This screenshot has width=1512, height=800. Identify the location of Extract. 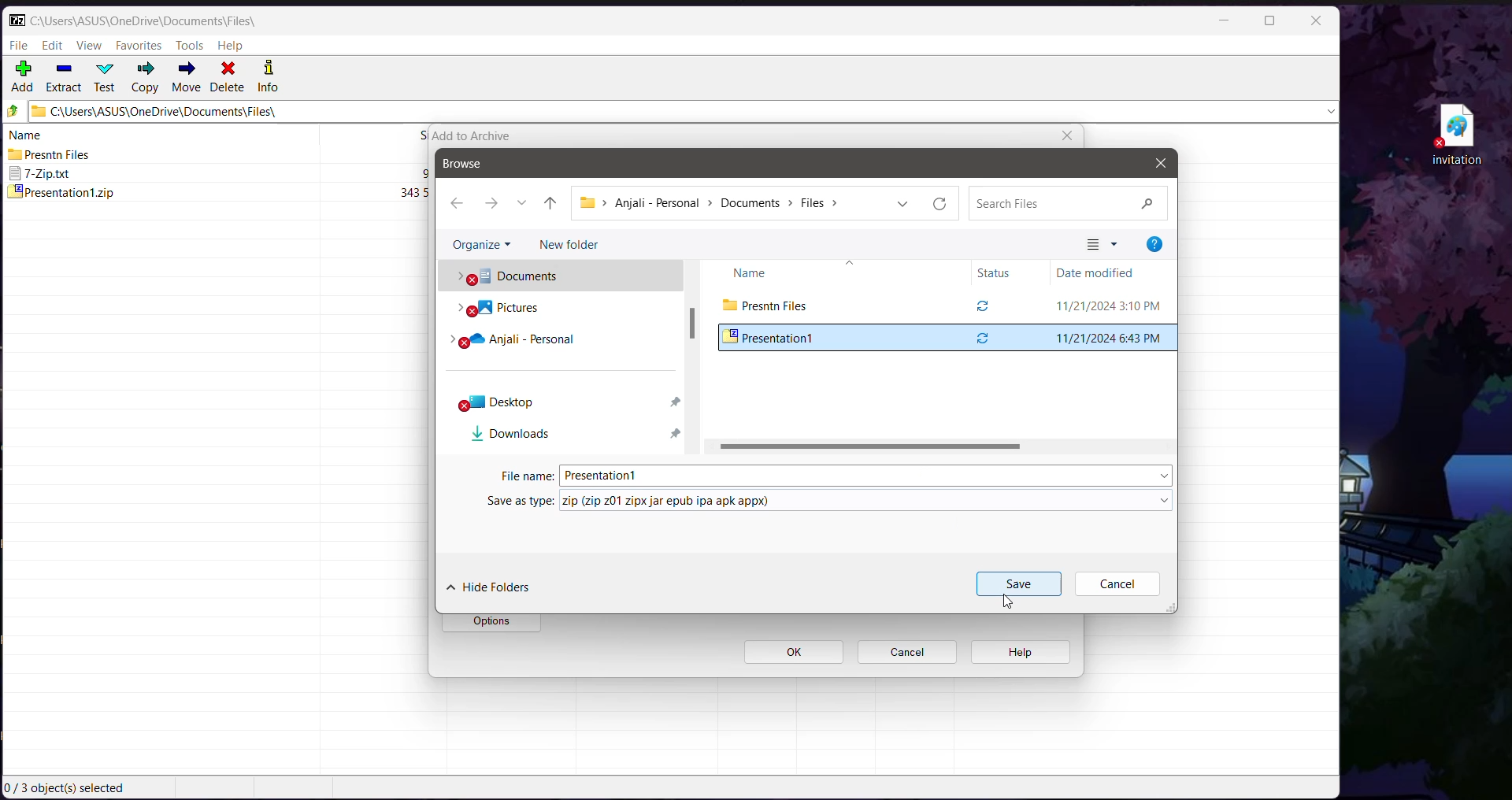
(64, 78).